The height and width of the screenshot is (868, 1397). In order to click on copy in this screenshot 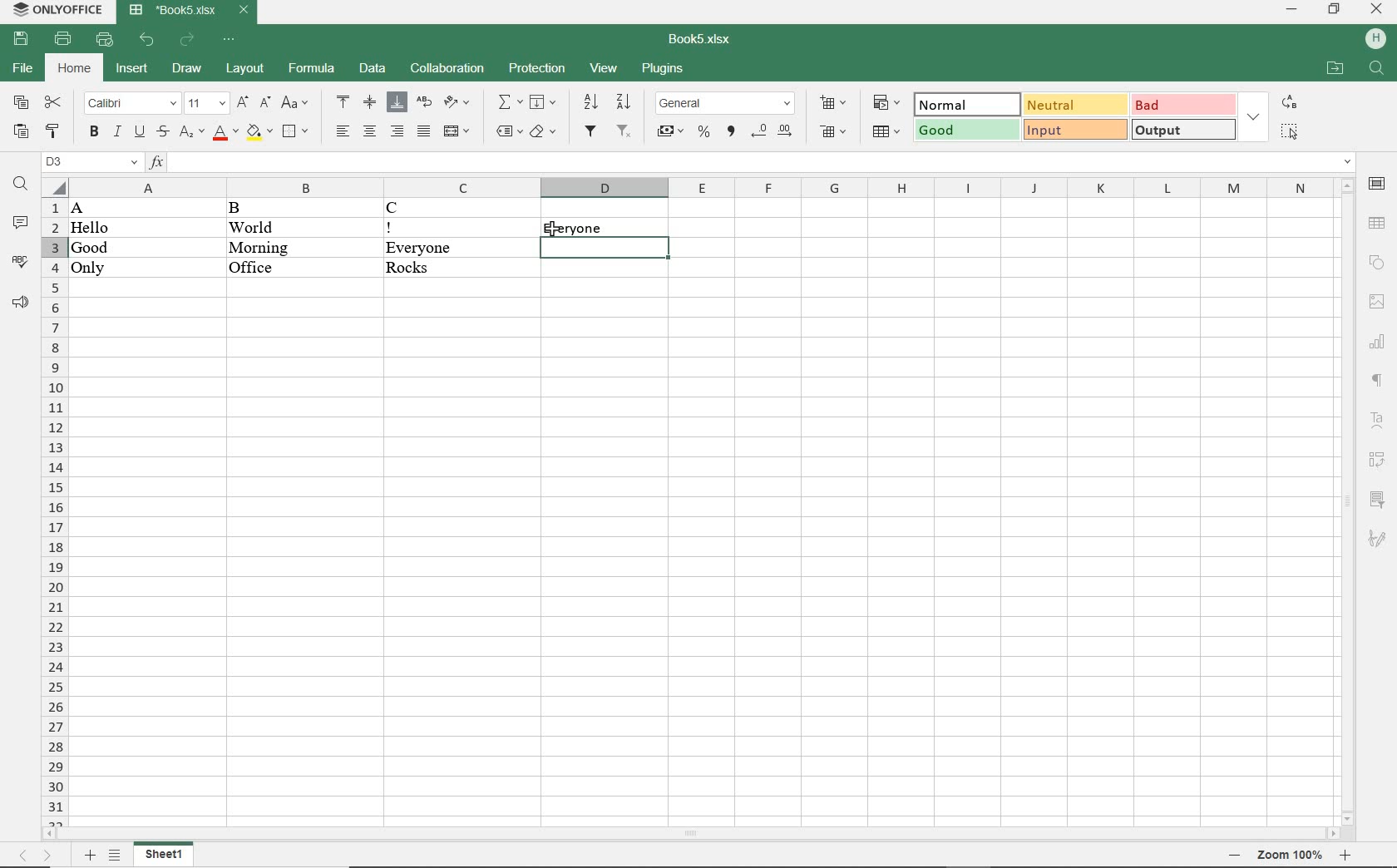, I will do `click(20, 104)`.